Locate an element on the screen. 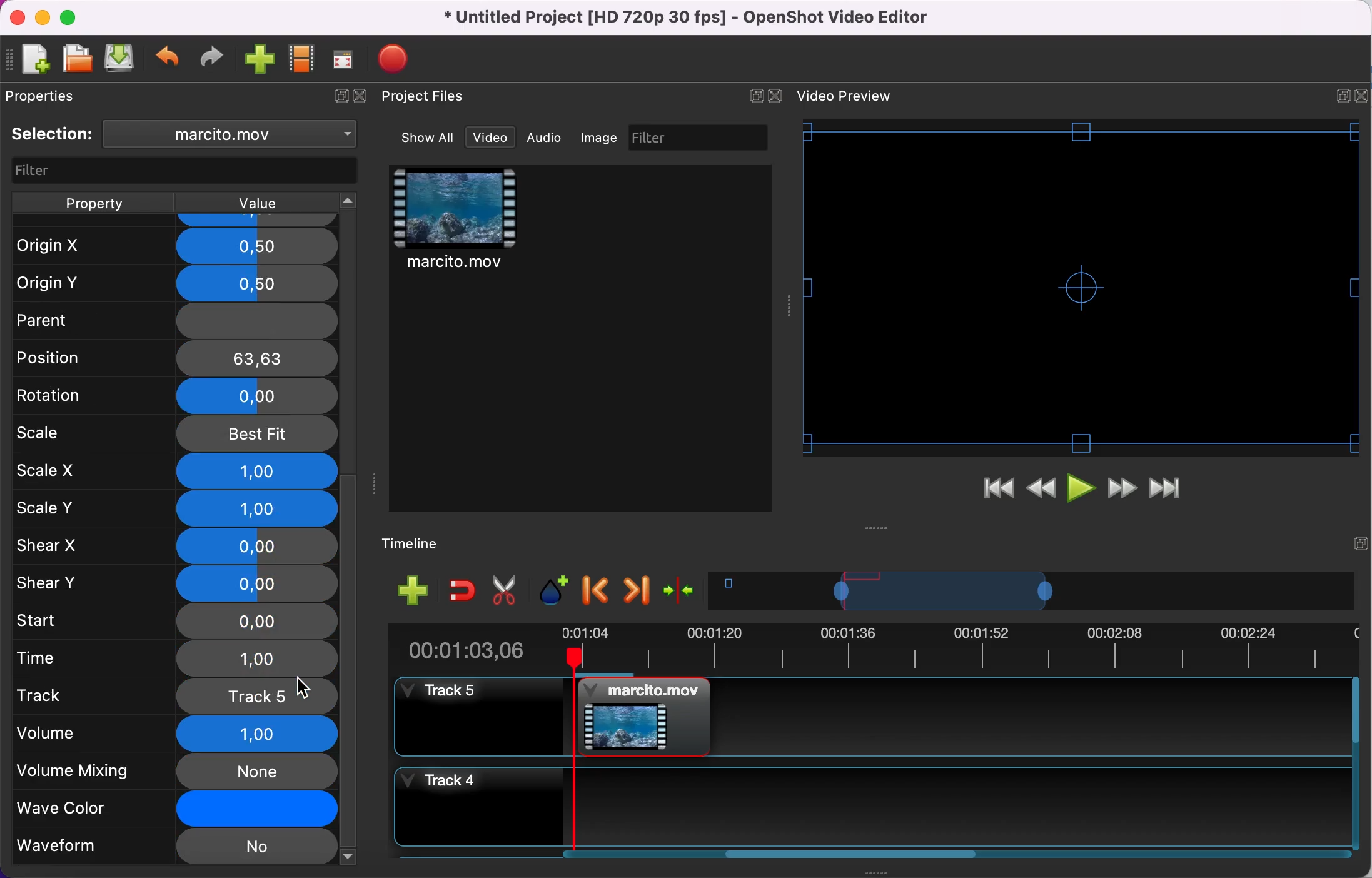  fast forward is located at coordinates (1122, 490).